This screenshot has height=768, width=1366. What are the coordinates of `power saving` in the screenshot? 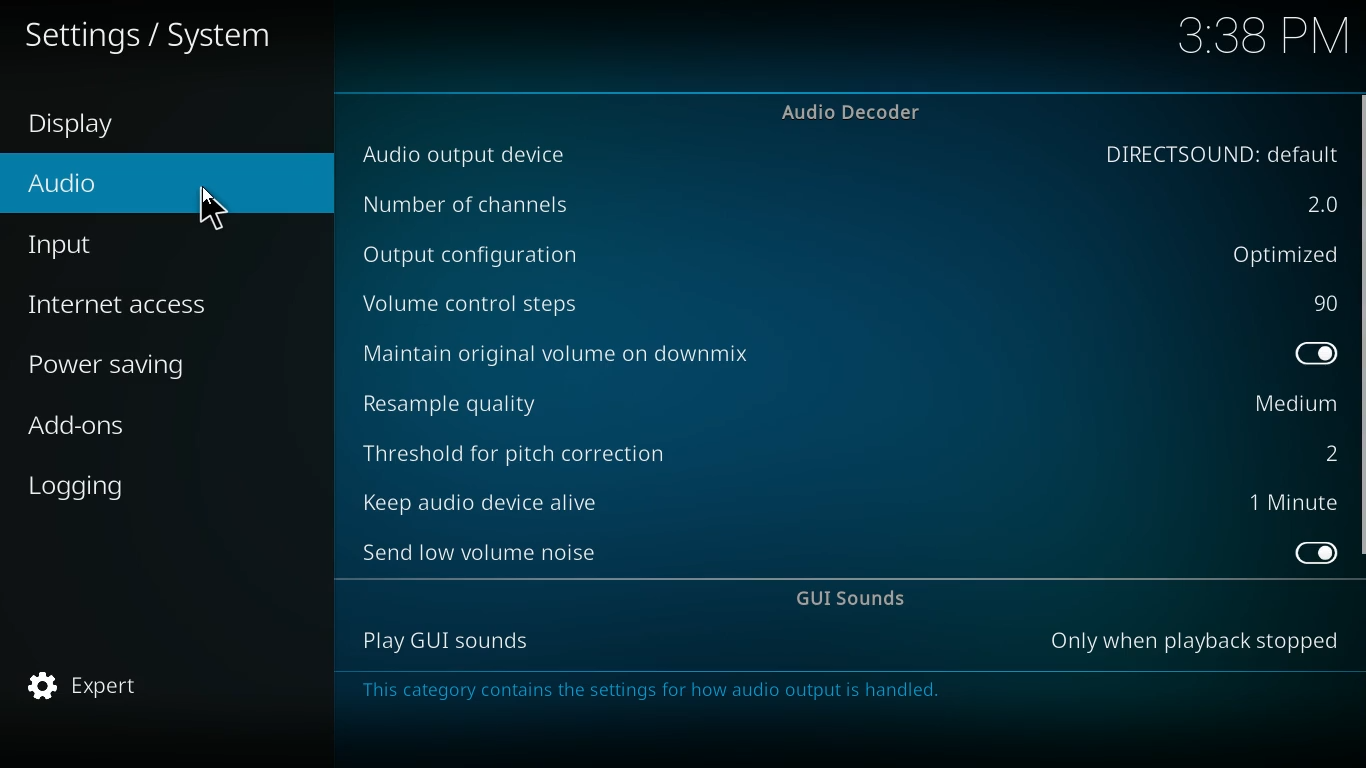 It's located at (150, 364).